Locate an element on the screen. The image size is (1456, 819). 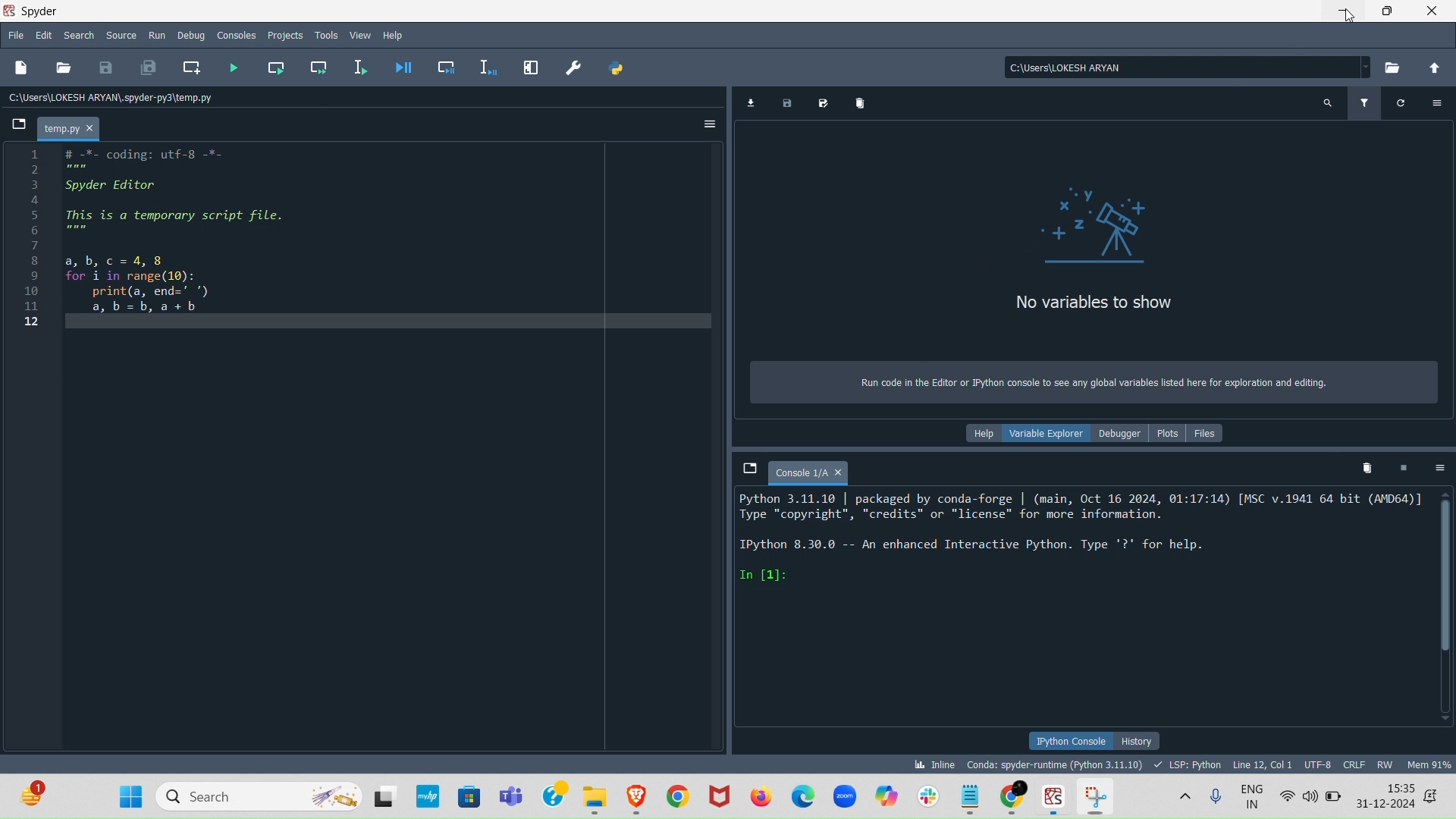
search is located at coordinates (78, 34).